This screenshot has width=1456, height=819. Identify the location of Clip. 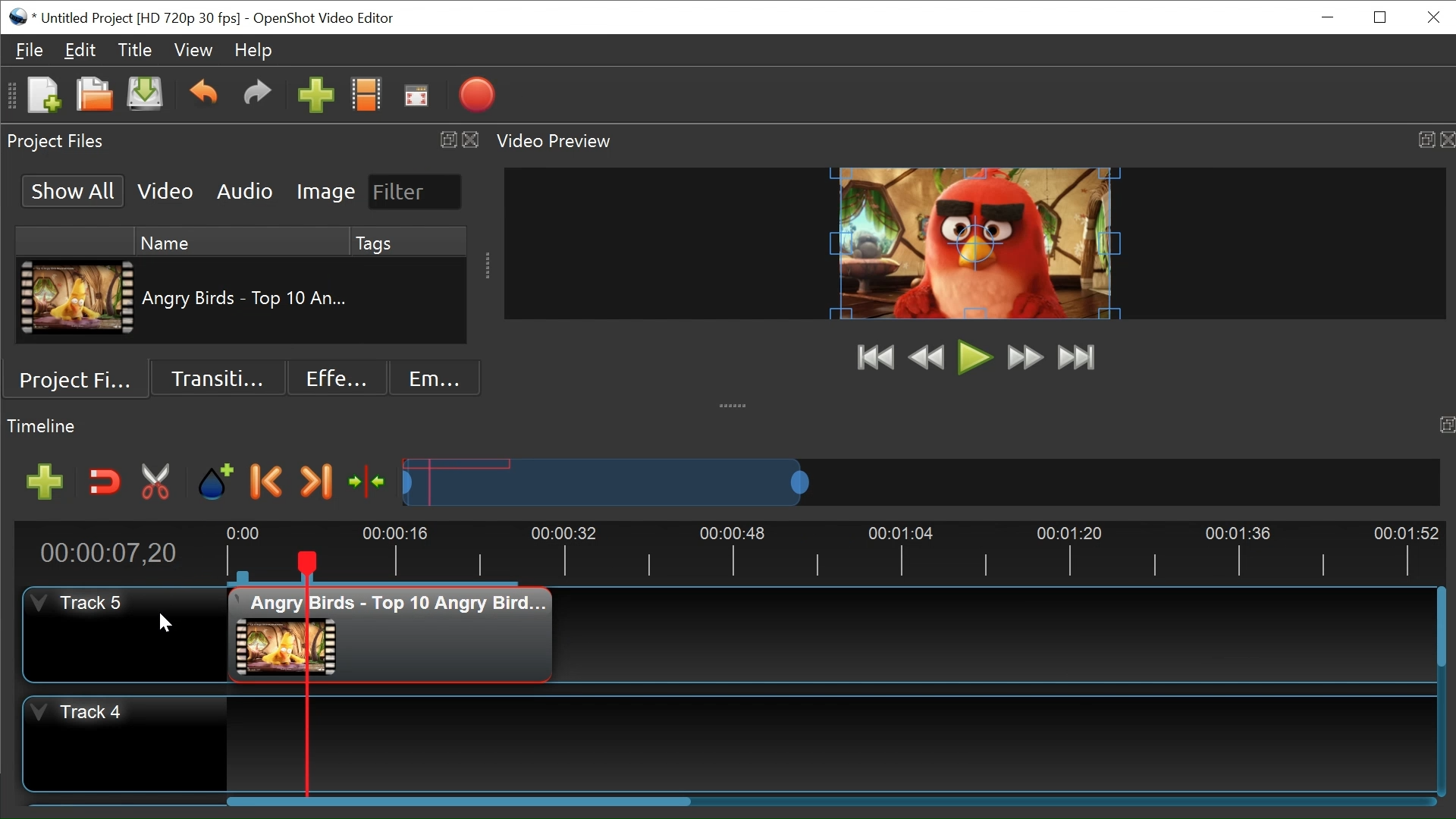
(78, 299).